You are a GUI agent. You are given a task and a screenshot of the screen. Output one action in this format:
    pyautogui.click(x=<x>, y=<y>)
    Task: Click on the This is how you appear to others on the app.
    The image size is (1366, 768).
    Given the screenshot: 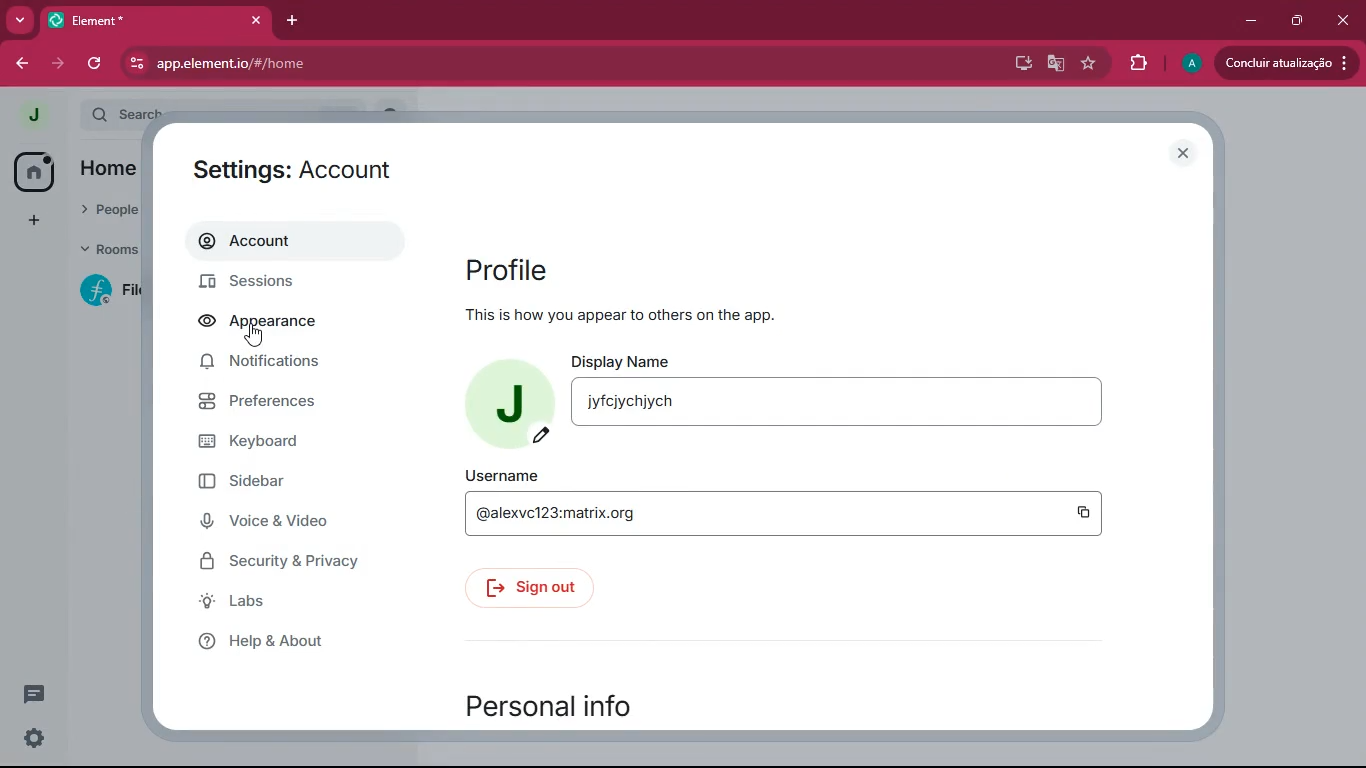 What is the action you would take?
    pyautogui.click(x=622, y=313)
    